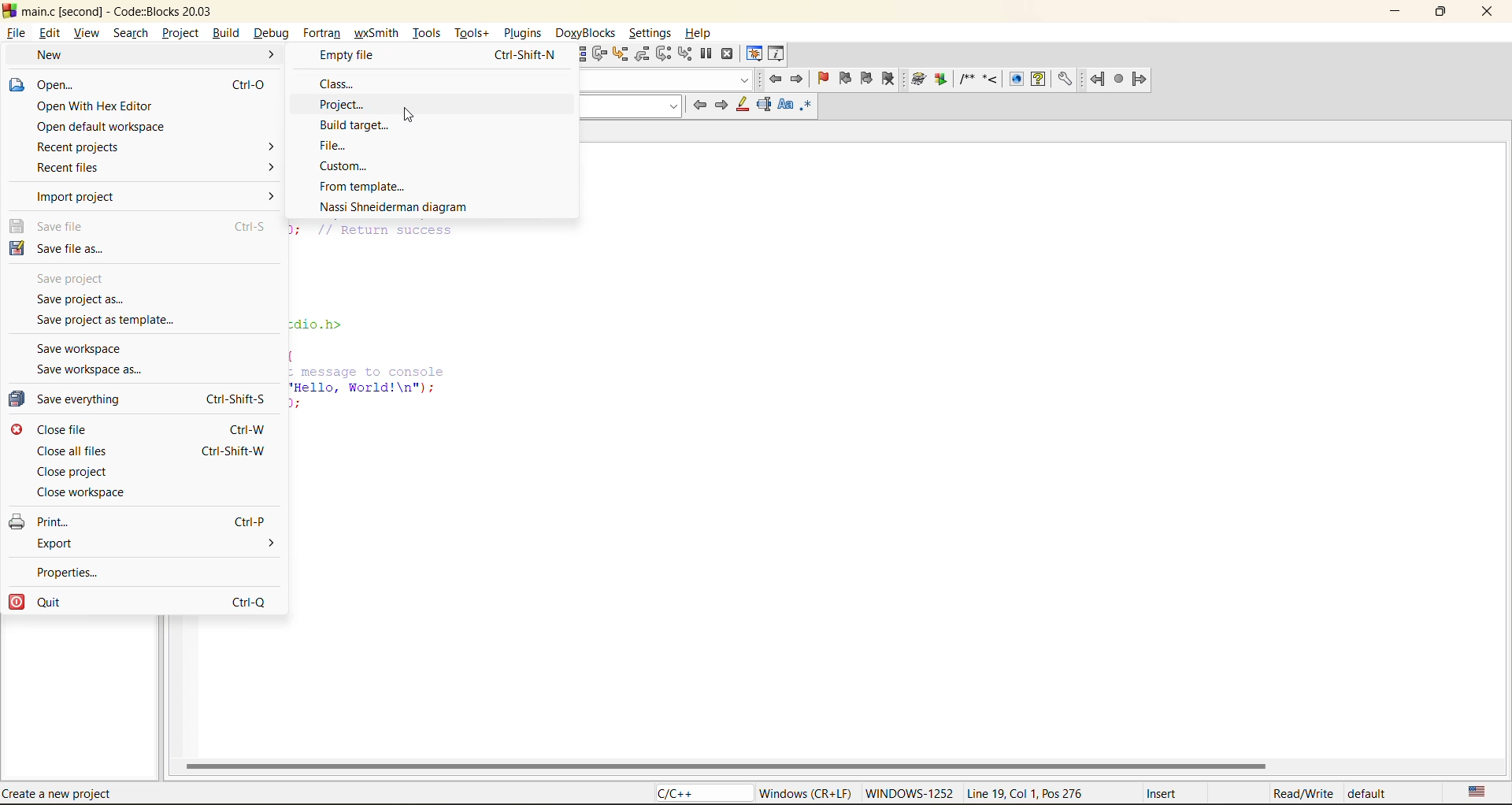 This screenshot has height=805, width=1512. What do you see at coordinates (50, 603) in the screenshot?
I see `quit` at bounding box center [50, 603].